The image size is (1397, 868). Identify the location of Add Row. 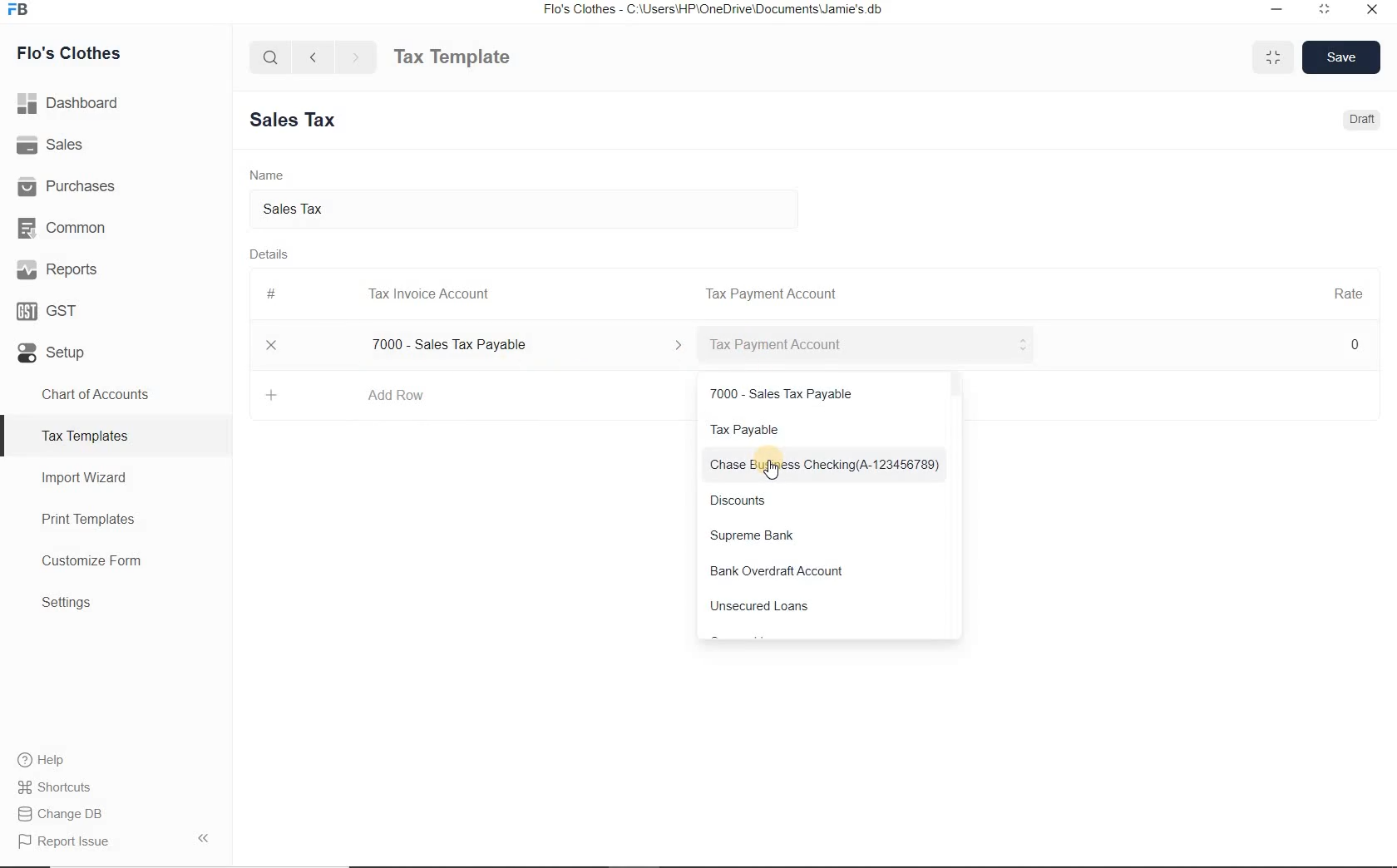
(396, 395).